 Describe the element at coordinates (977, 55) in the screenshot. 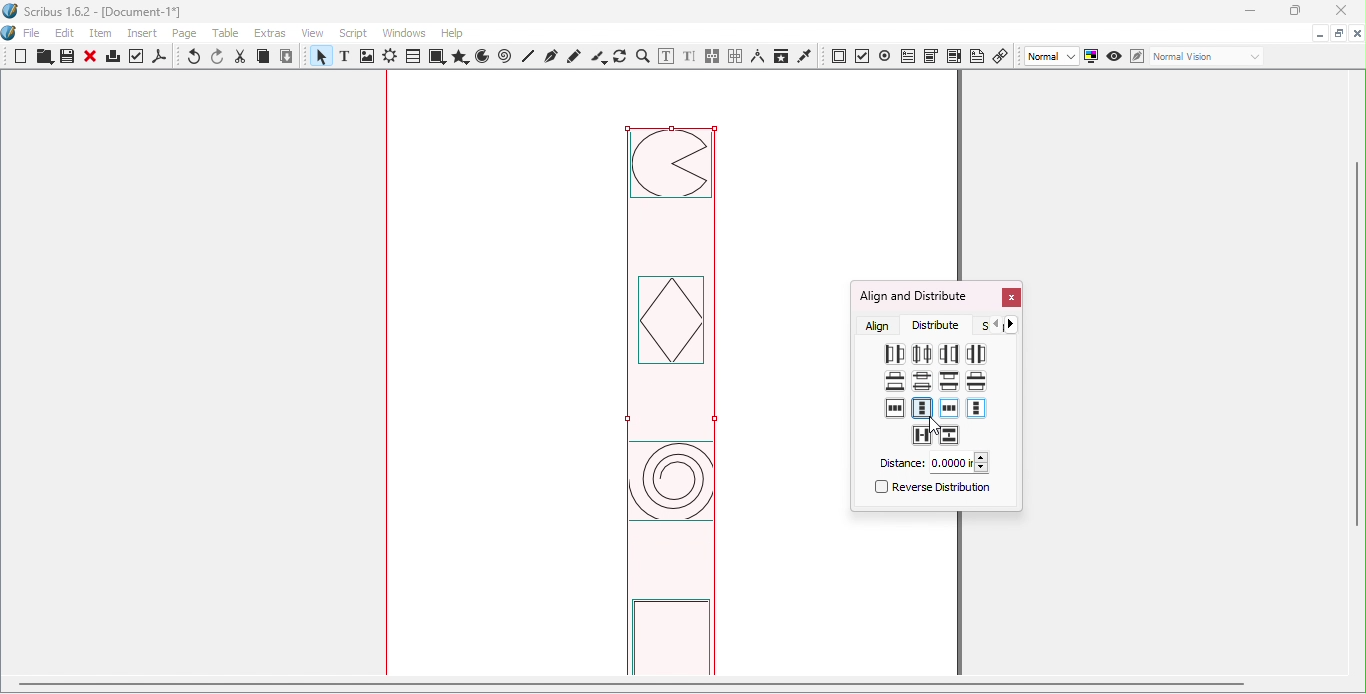

I see `Text annotation` at that location.